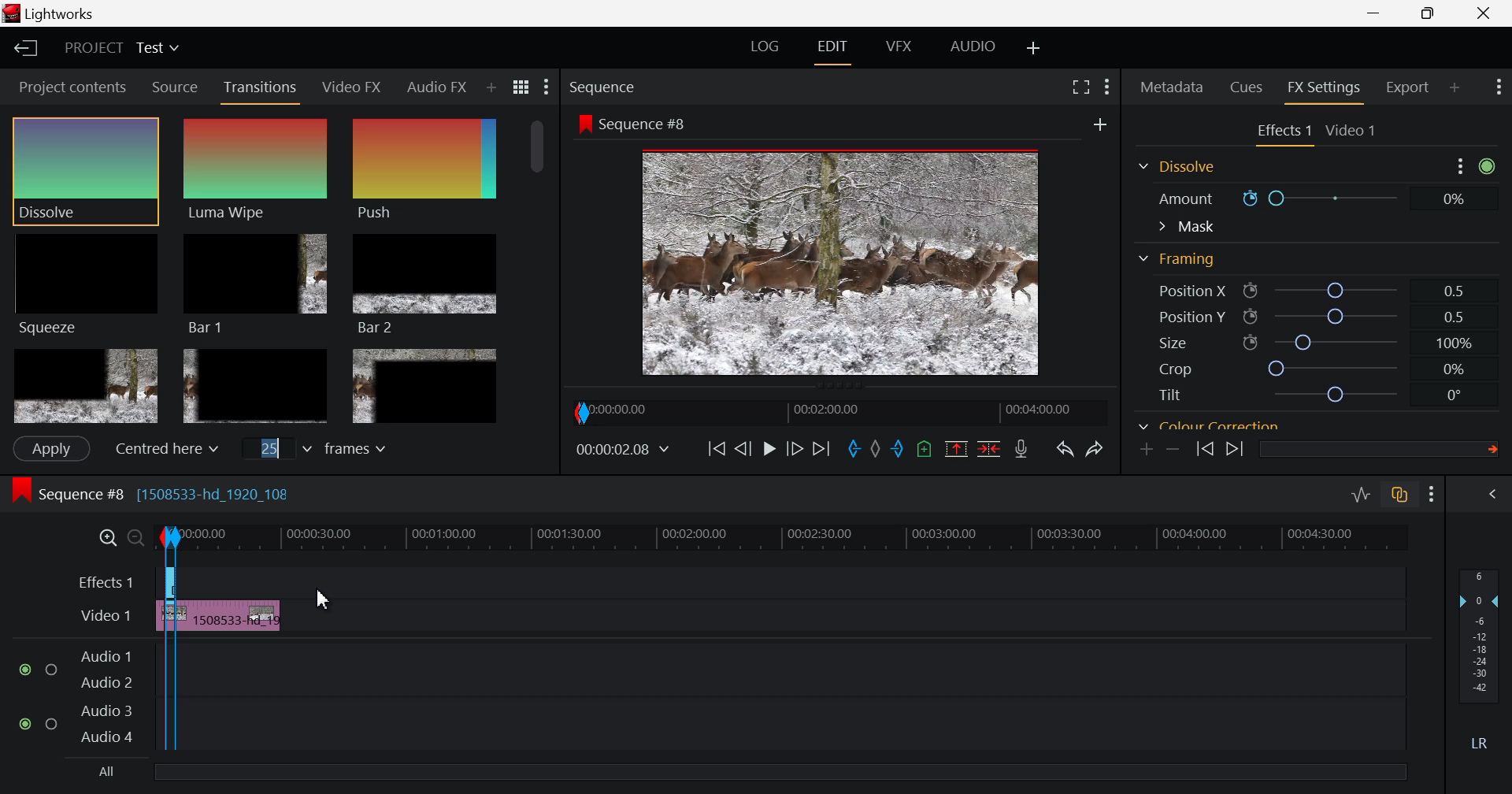  I want to click on Audio Layers Input, so click(86, 695).